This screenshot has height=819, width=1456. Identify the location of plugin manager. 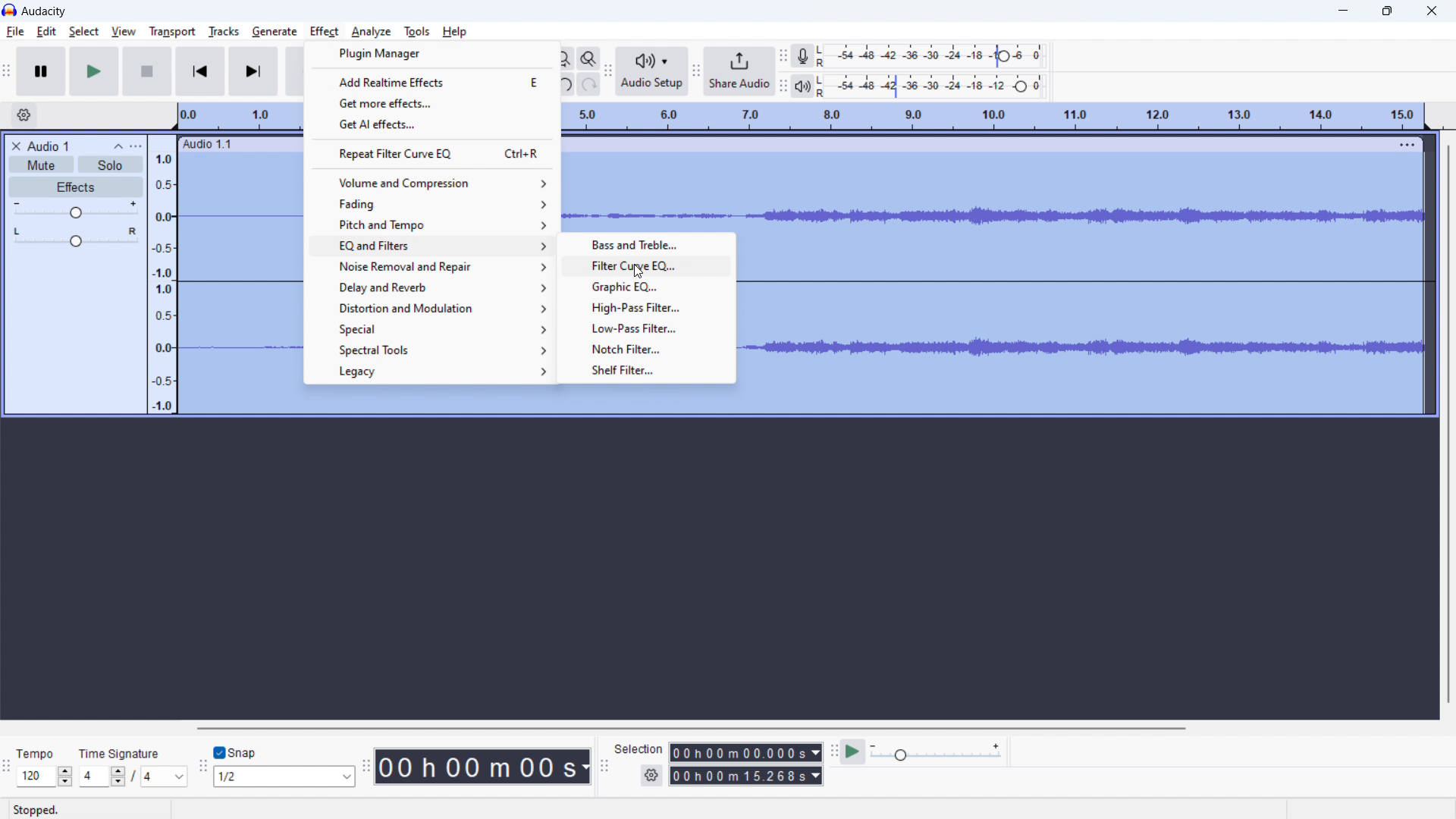
(431, 54).